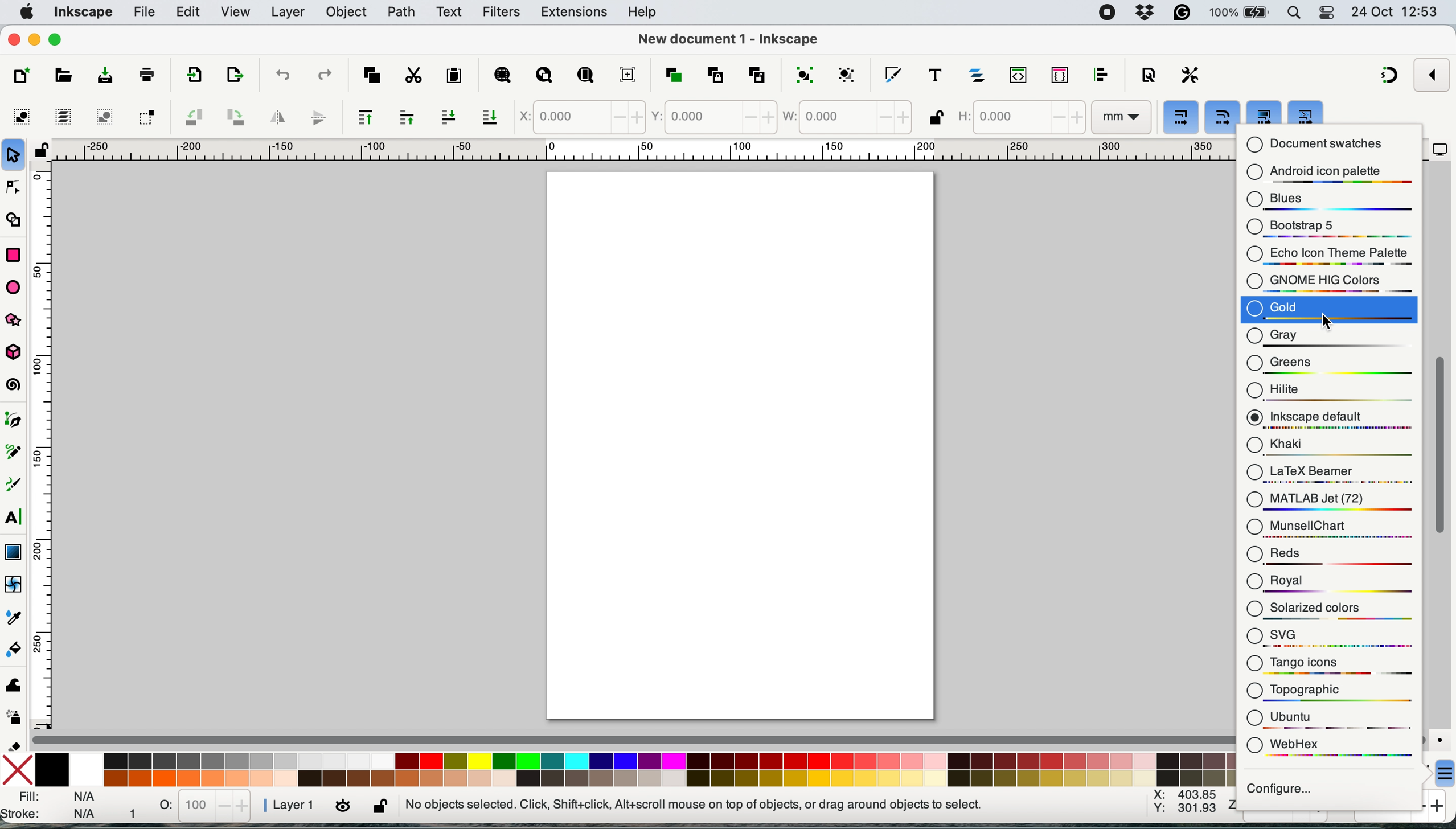 This screenshot has height=829, width=1456. I want to click on latex beamer, so click(1332, 472).